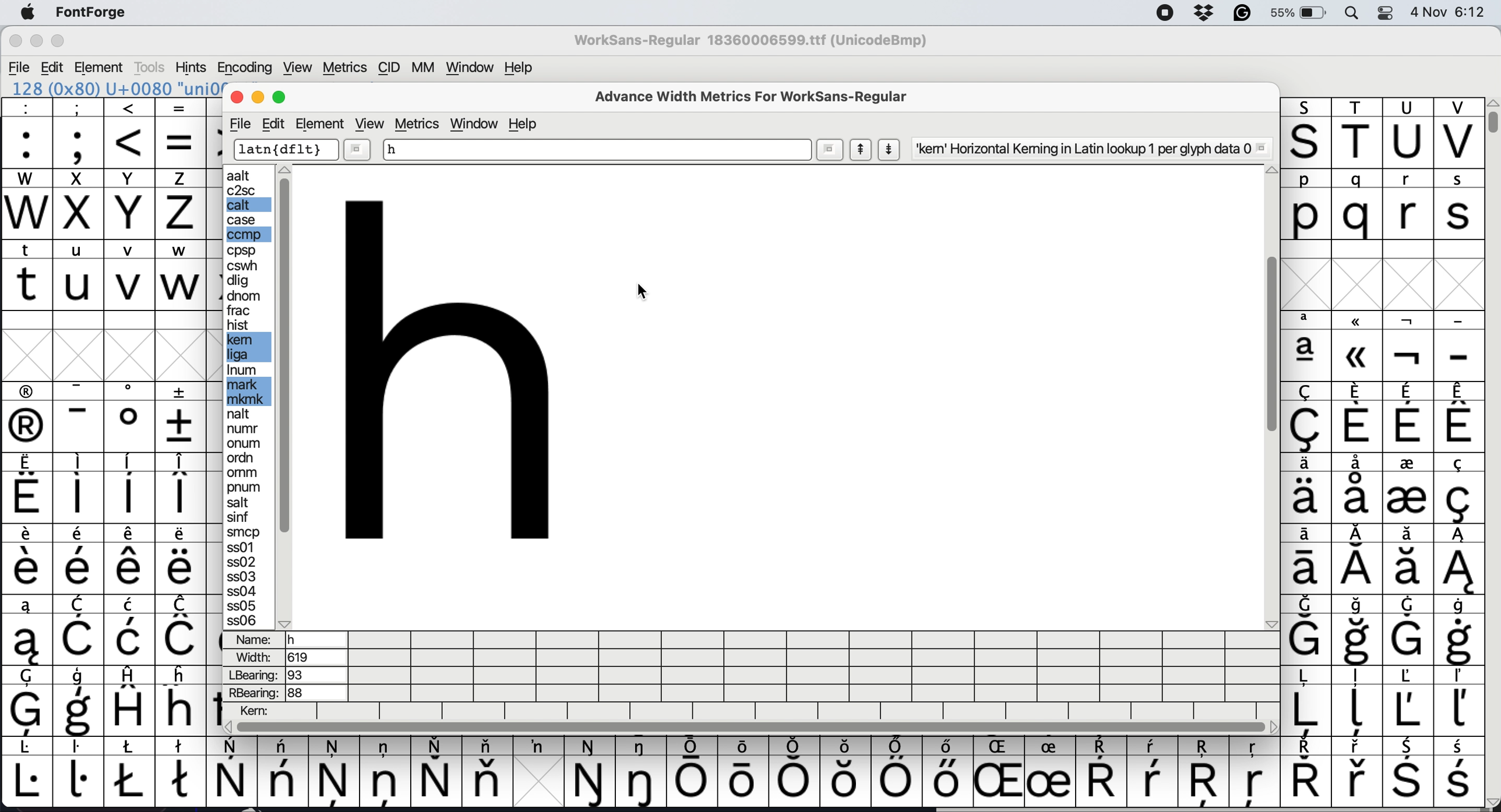  Describe the element at coordinates (249, 396) in the screenshot. I see `edit options` at that location.